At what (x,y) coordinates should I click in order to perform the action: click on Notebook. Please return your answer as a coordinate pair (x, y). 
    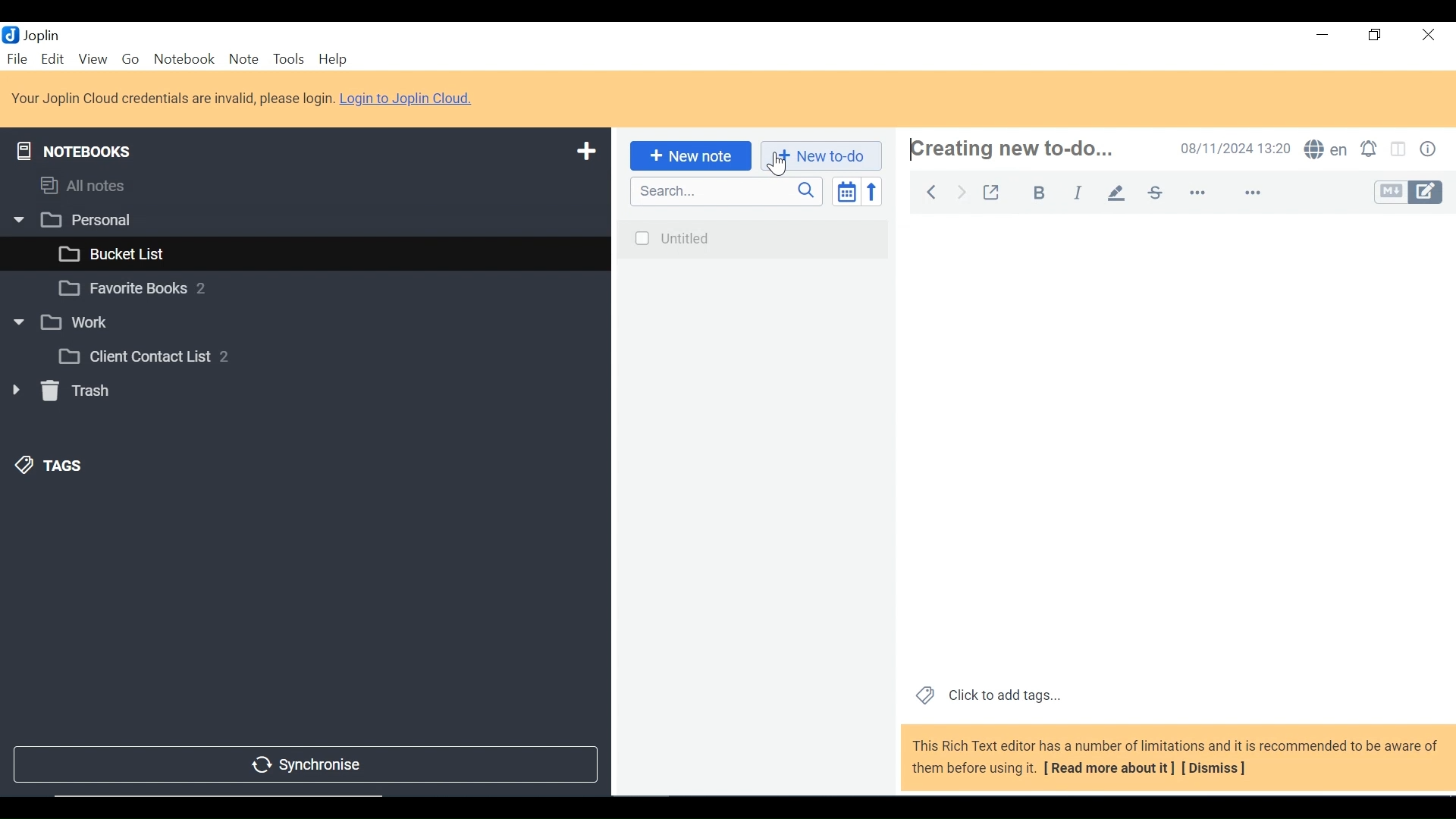
    Looking at the image, I should click on (328, 356).